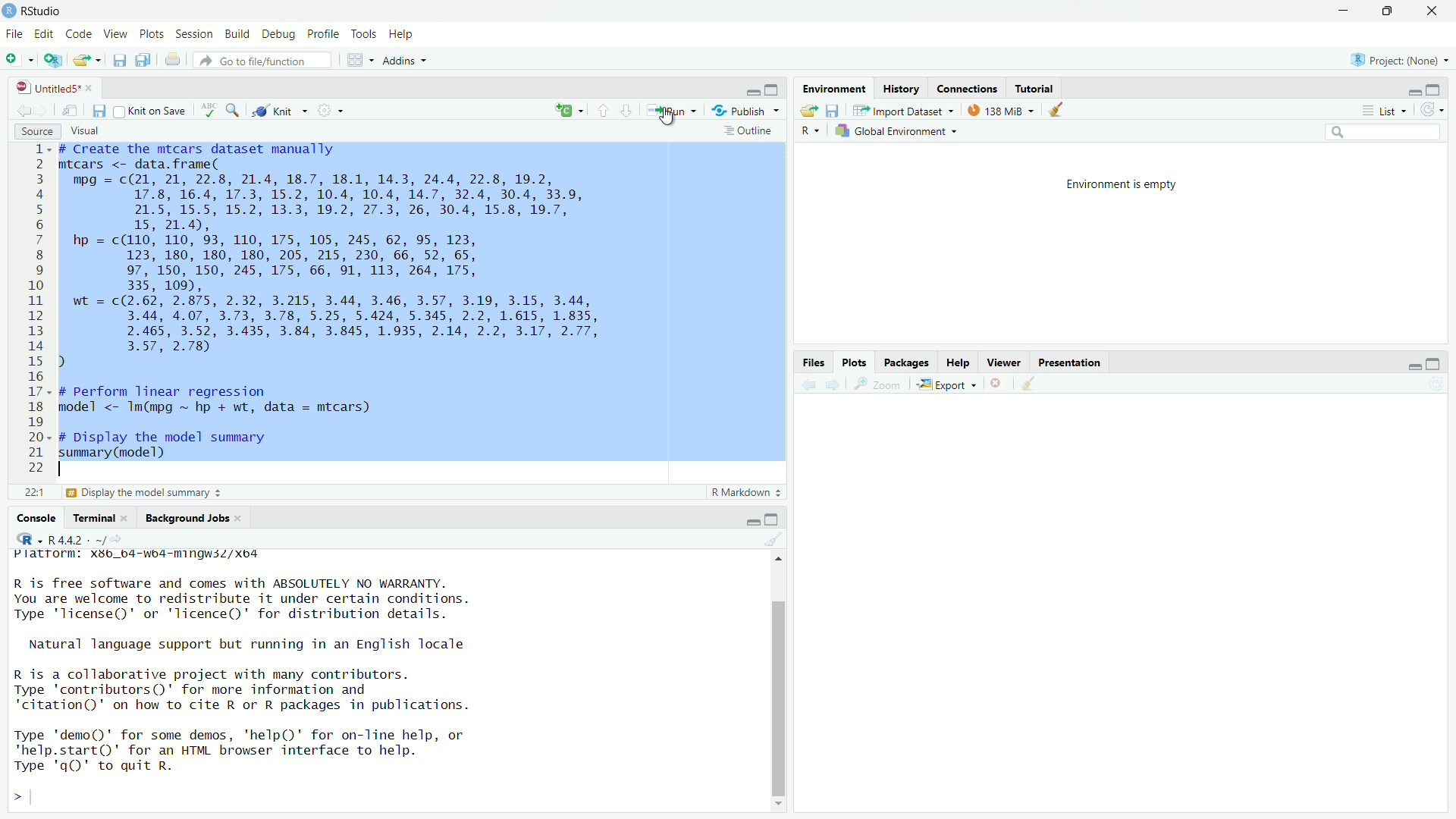  I want to click on forward, so click(836, 385).